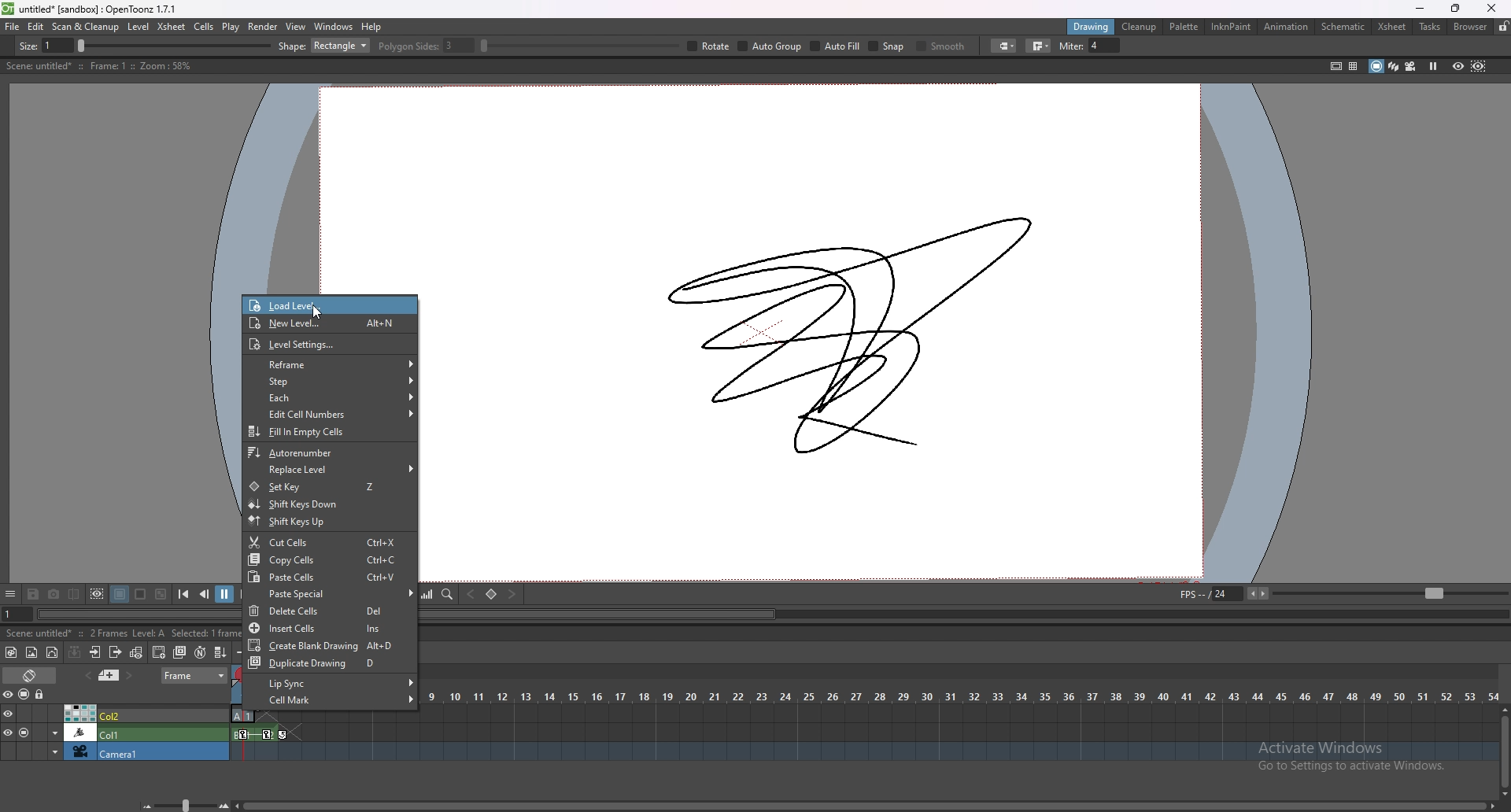 The height and width of the screenshot is (812, 1511). I want to click on scroll bar, so click(866, 804).